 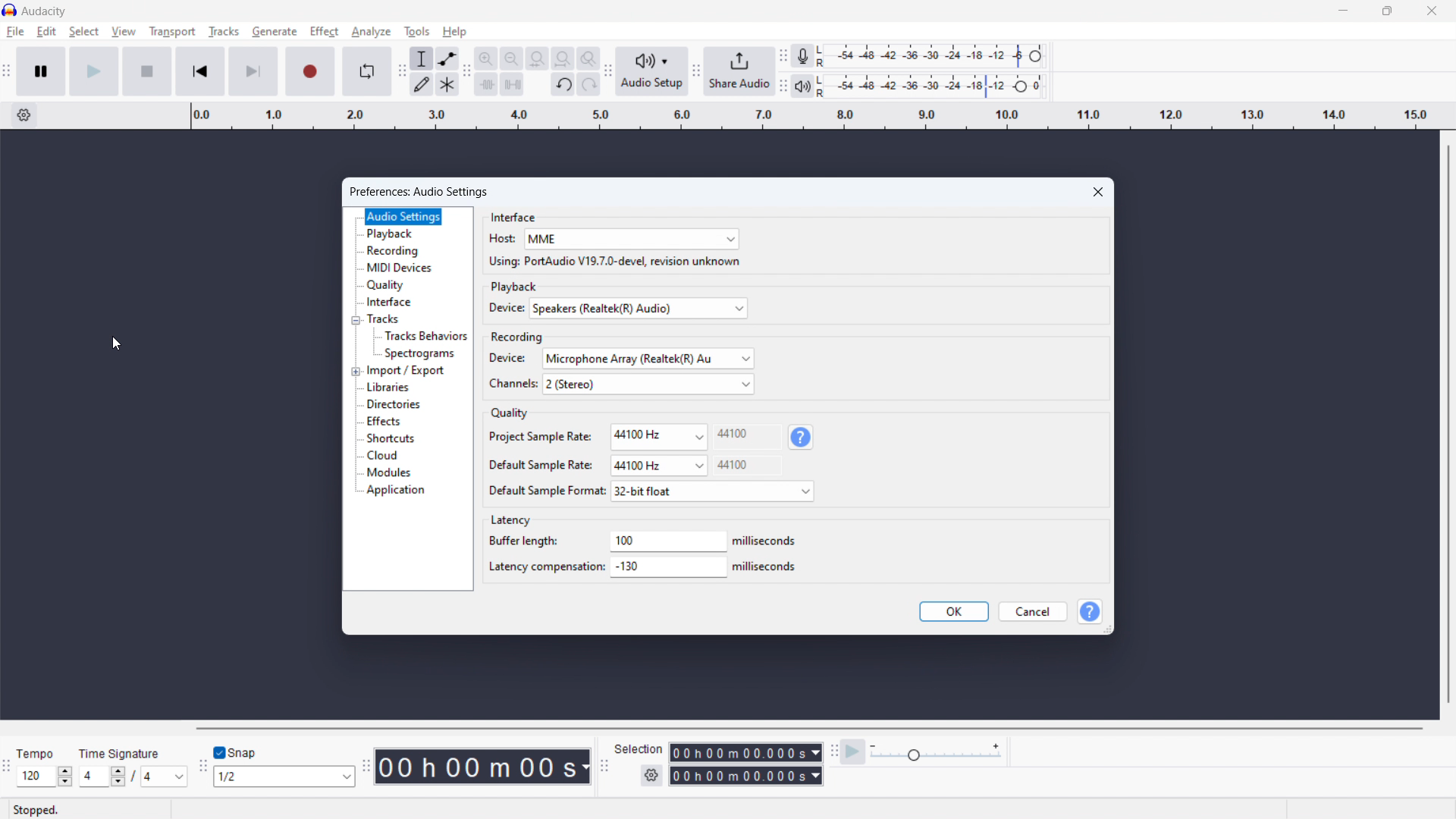 What do you see at coordinates (366, 71) in the screenshot?
I see `enable loop` at bounding box center [366, 71].